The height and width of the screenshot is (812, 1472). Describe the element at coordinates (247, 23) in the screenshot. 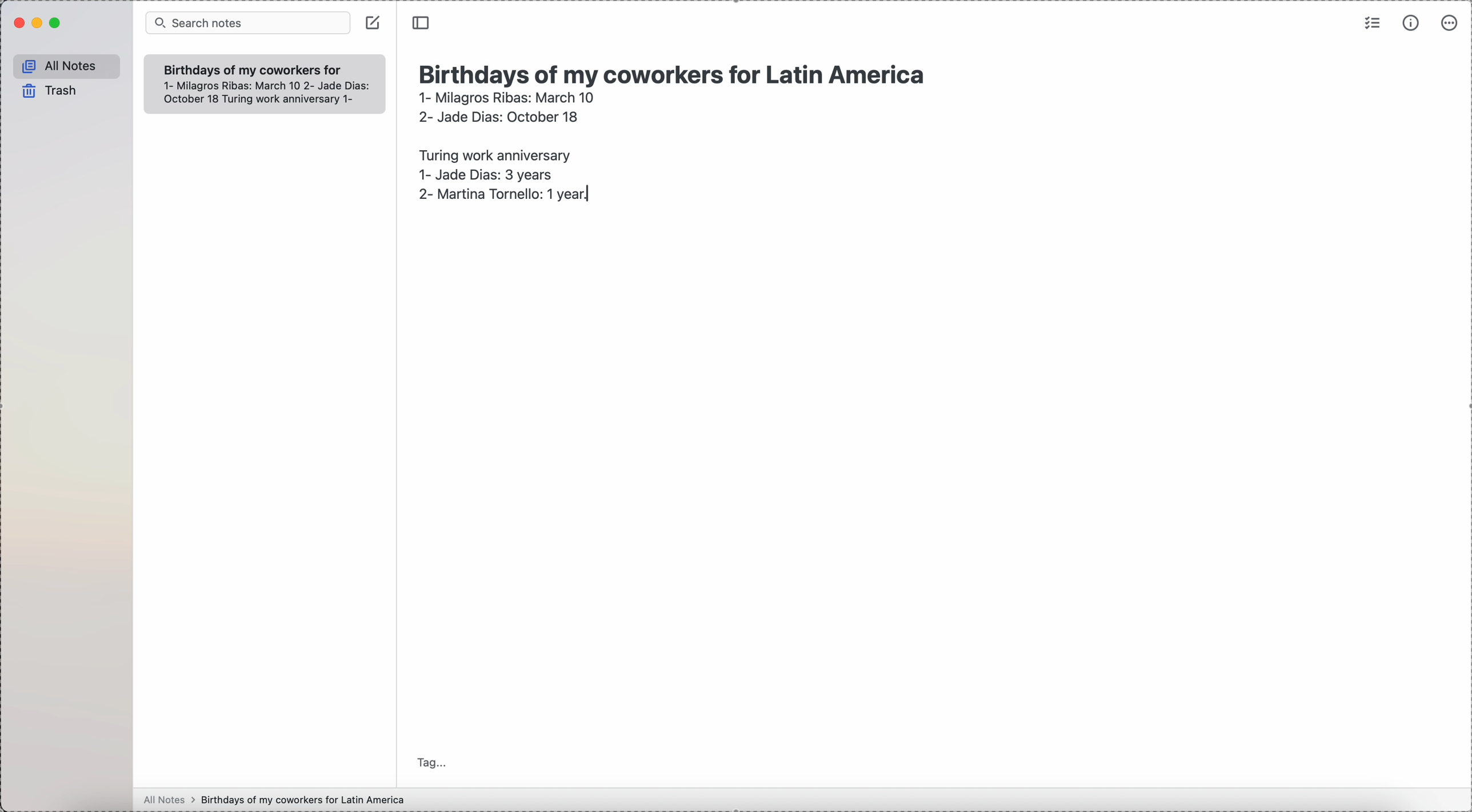

I see `search bar` at that location.